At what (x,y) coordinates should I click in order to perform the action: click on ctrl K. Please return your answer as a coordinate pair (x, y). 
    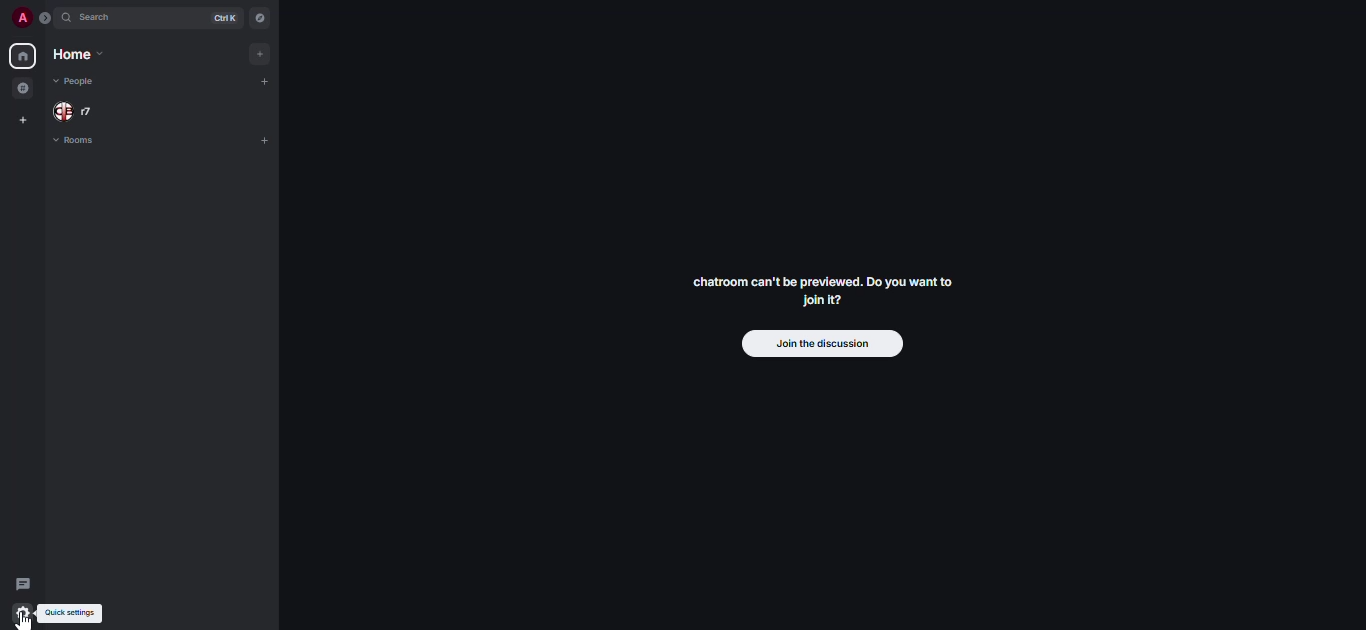
    Looking at the image, I should click on (222, 18).